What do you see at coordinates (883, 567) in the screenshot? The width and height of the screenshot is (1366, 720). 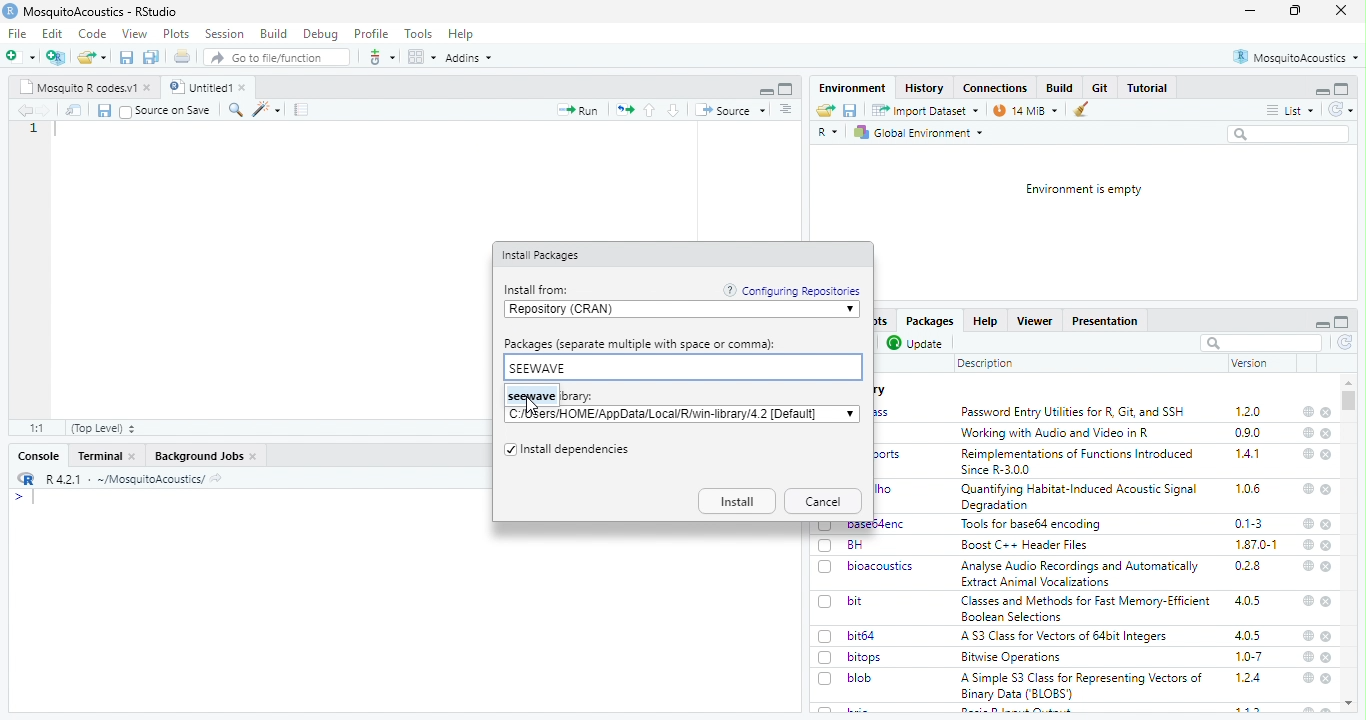 I see `bioacoustics` at bounding box center [883, 567].